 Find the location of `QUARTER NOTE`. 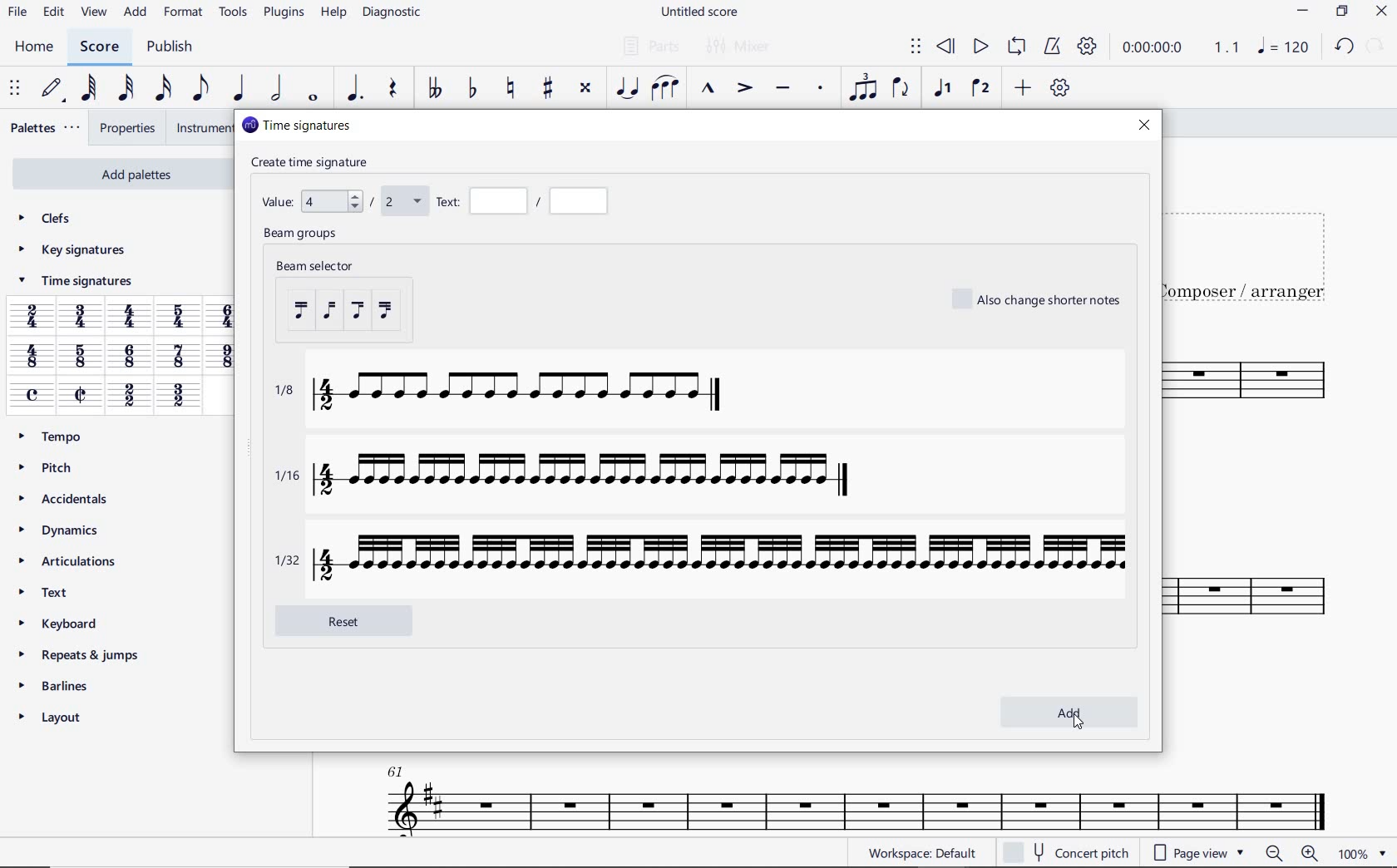

QUARTER NOTE is located at coordinates (239, 88).